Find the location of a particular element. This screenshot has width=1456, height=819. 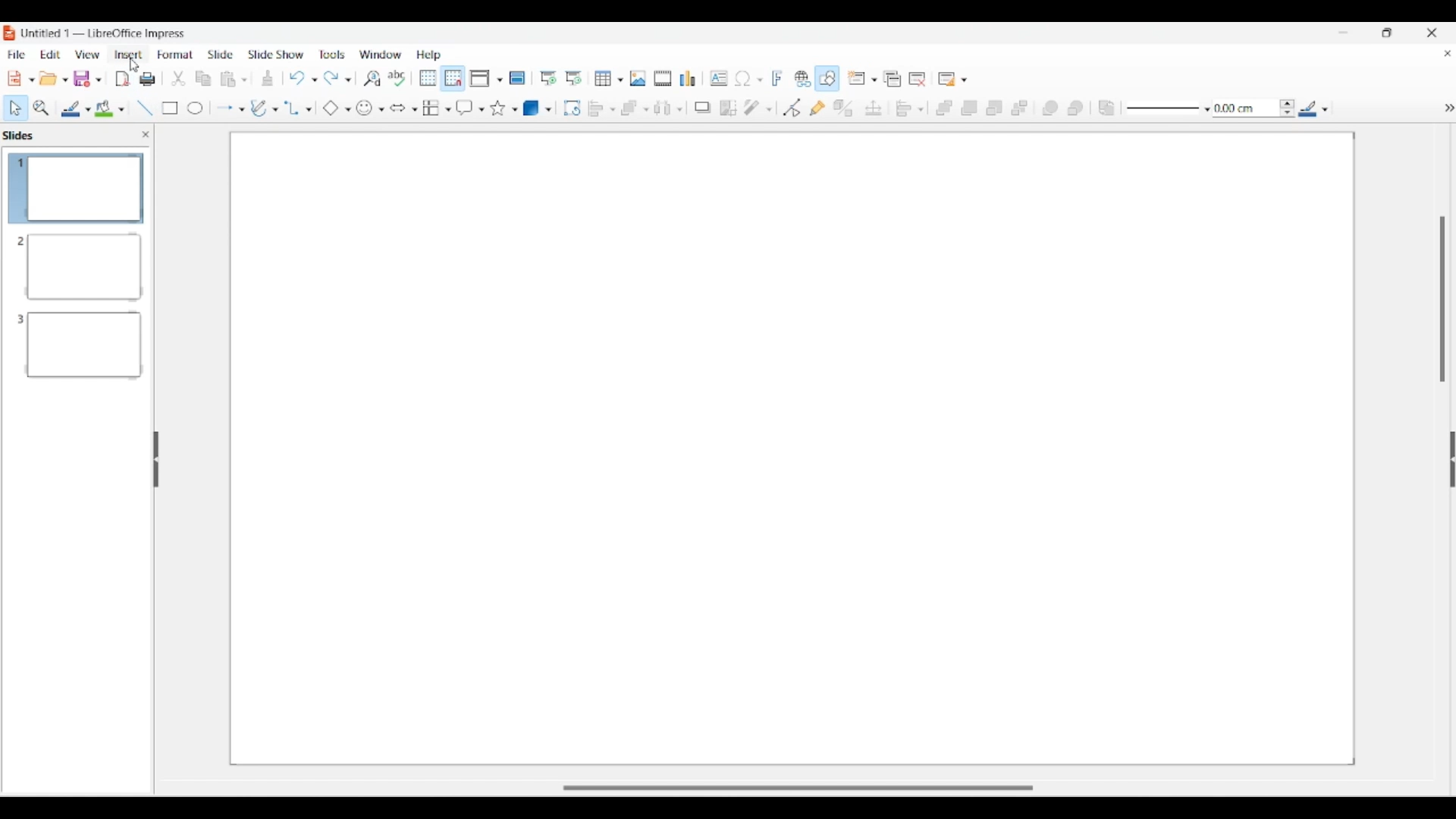

Insert hyperlink is located at coordinates (803, 78).